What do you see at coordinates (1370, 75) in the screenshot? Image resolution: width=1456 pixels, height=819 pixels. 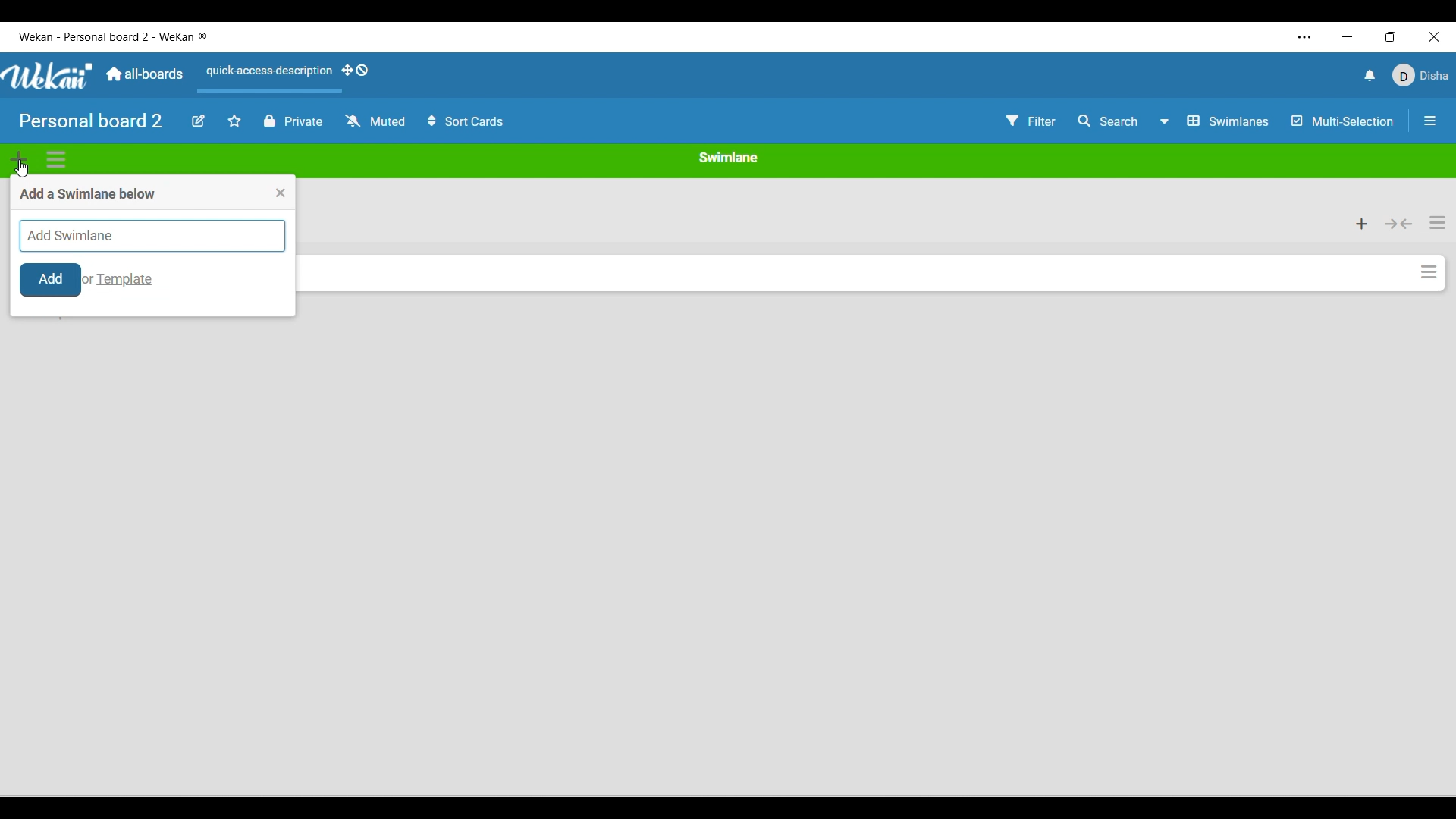 I see `Notifications ` at bounding box center [1370, 75].